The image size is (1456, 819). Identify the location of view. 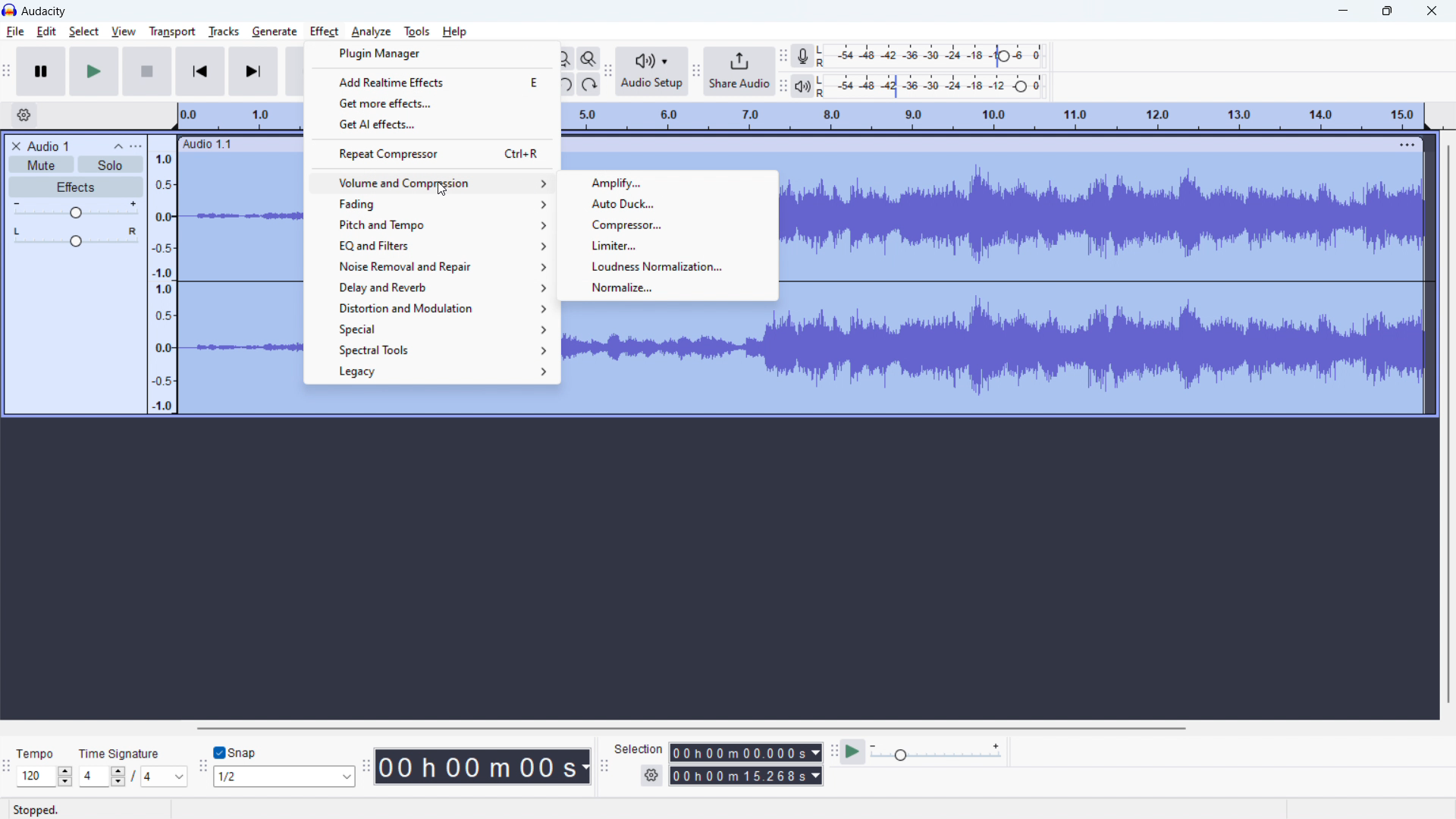
(124, 32).